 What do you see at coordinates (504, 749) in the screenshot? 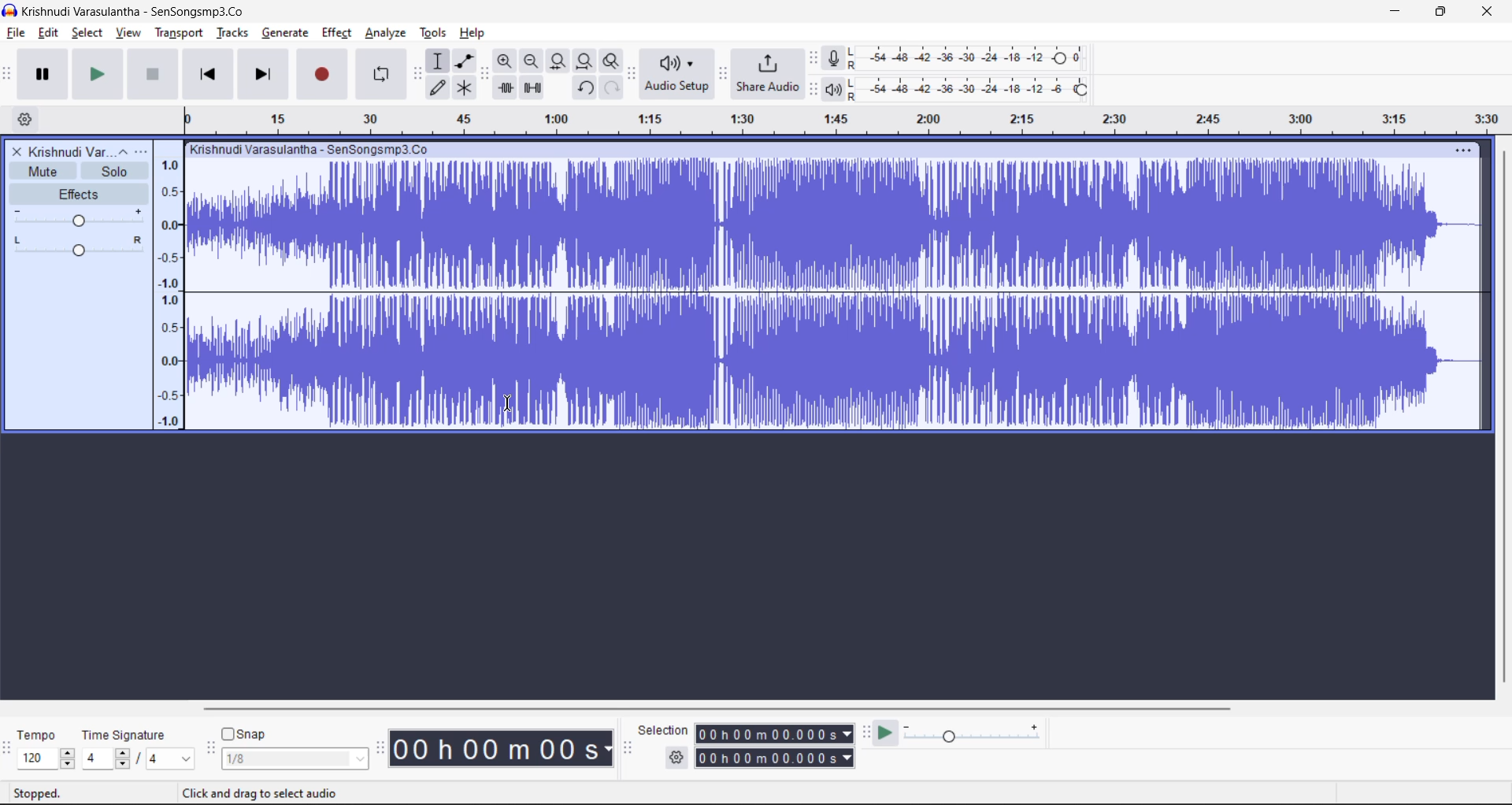
I see `00 h 00m 00s` at bounding box center [504, 749].